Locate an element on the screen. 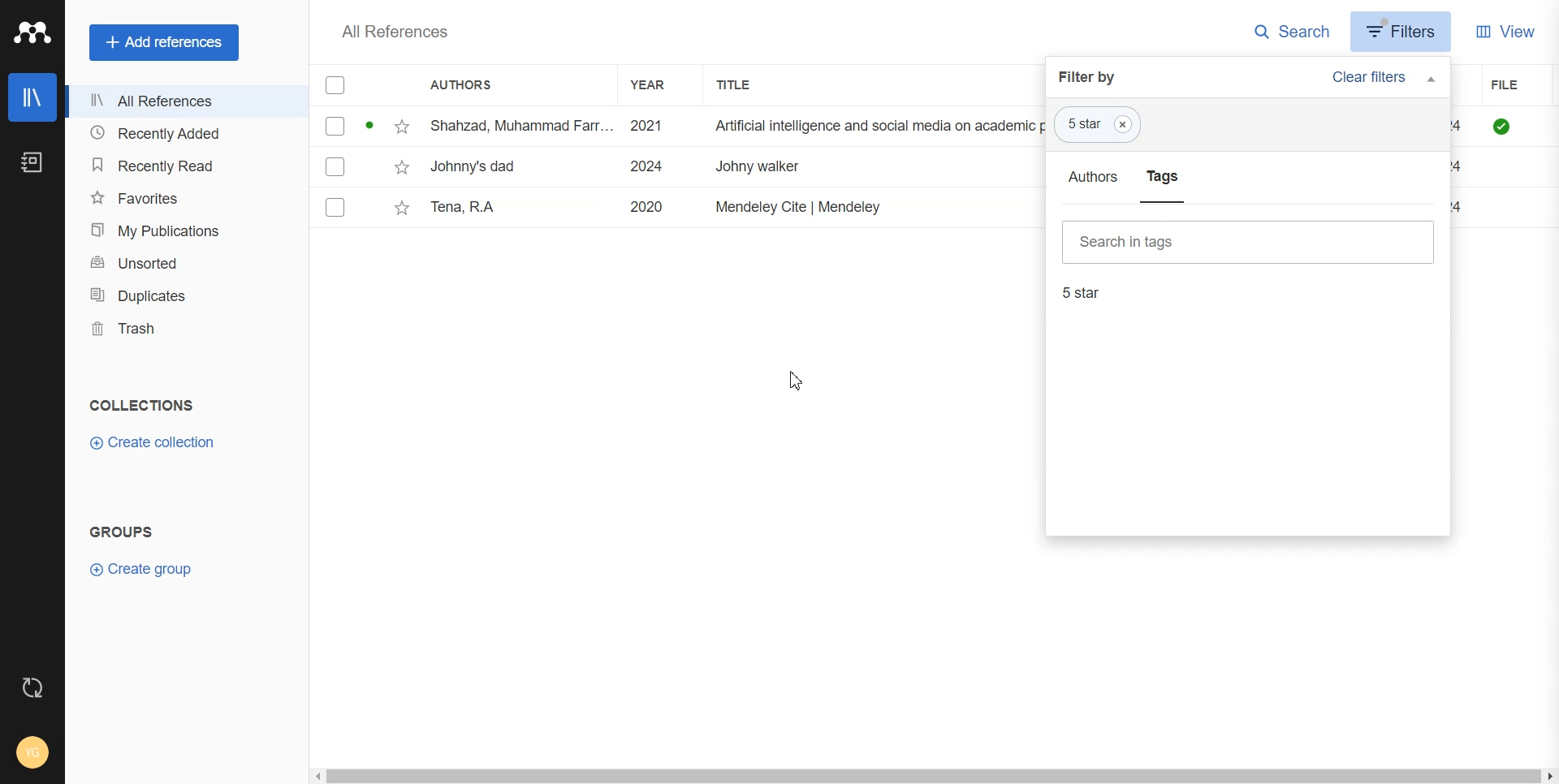  Checklist is located at coordinates (335, 84).